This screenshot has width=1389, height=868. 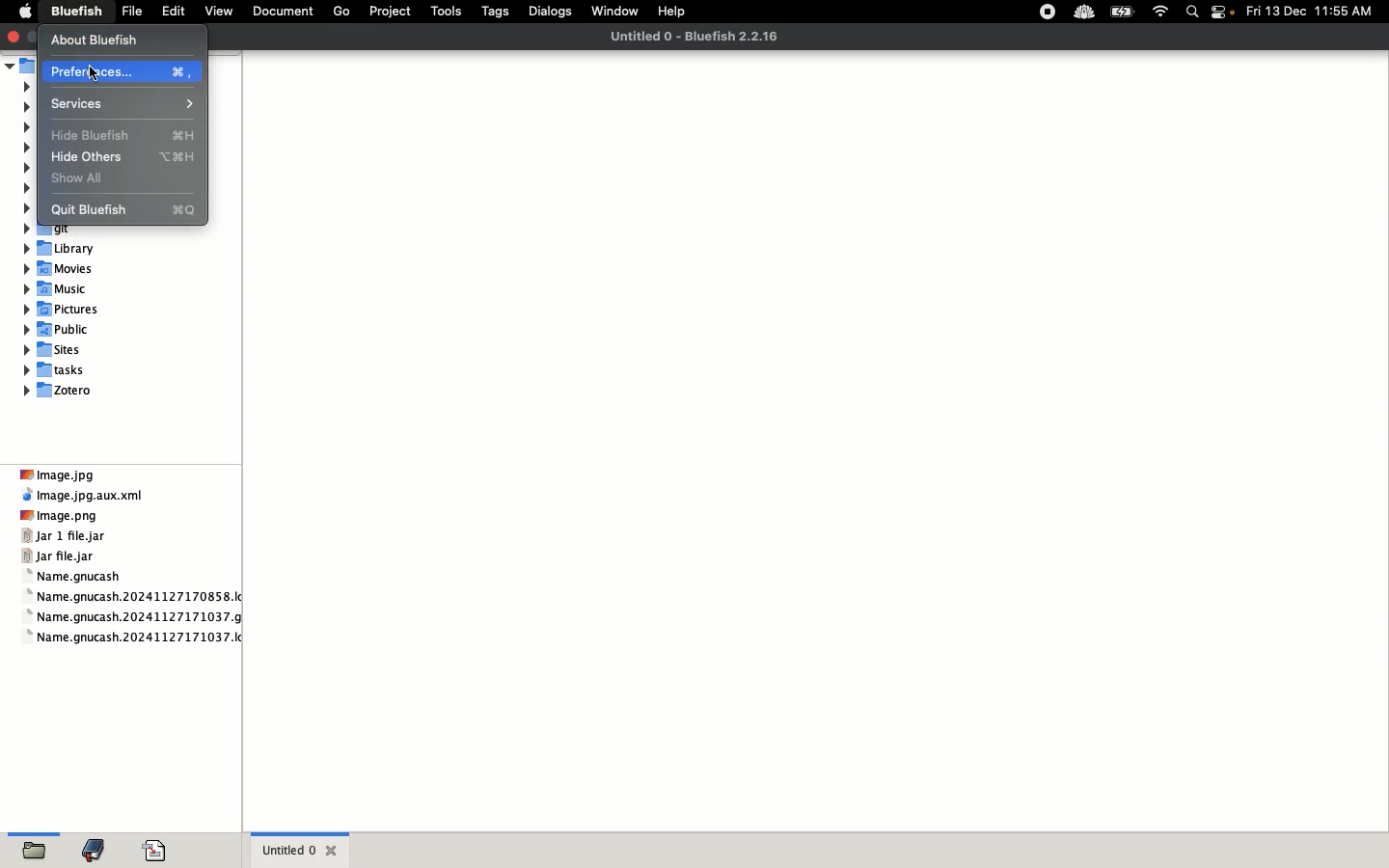 I want to click on quit bluefish, so click(x=123, y=207).